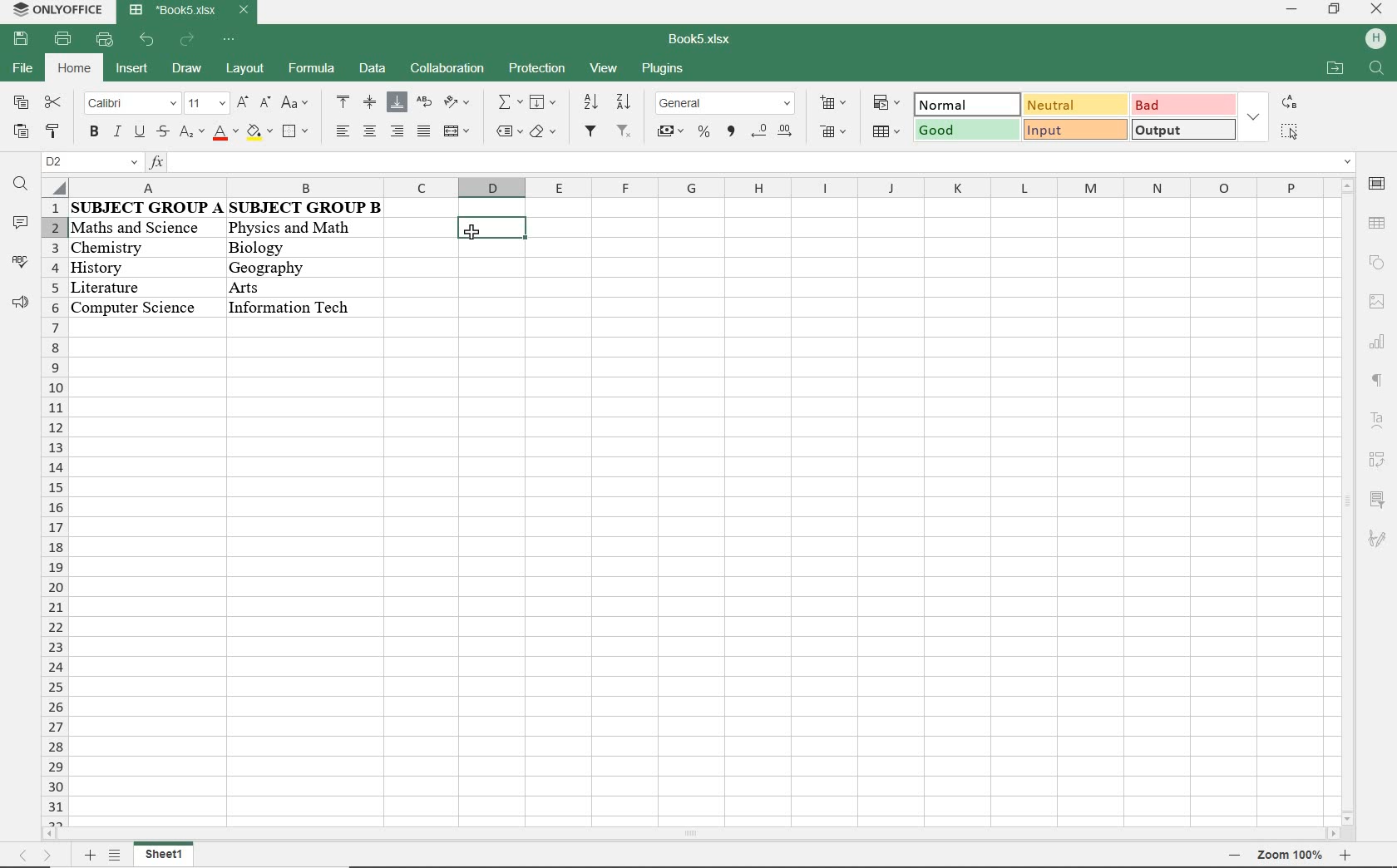  What do you see at coordinates (1074, 129) in the screenshot?
I see `input` at bounding box center [1074, 129].